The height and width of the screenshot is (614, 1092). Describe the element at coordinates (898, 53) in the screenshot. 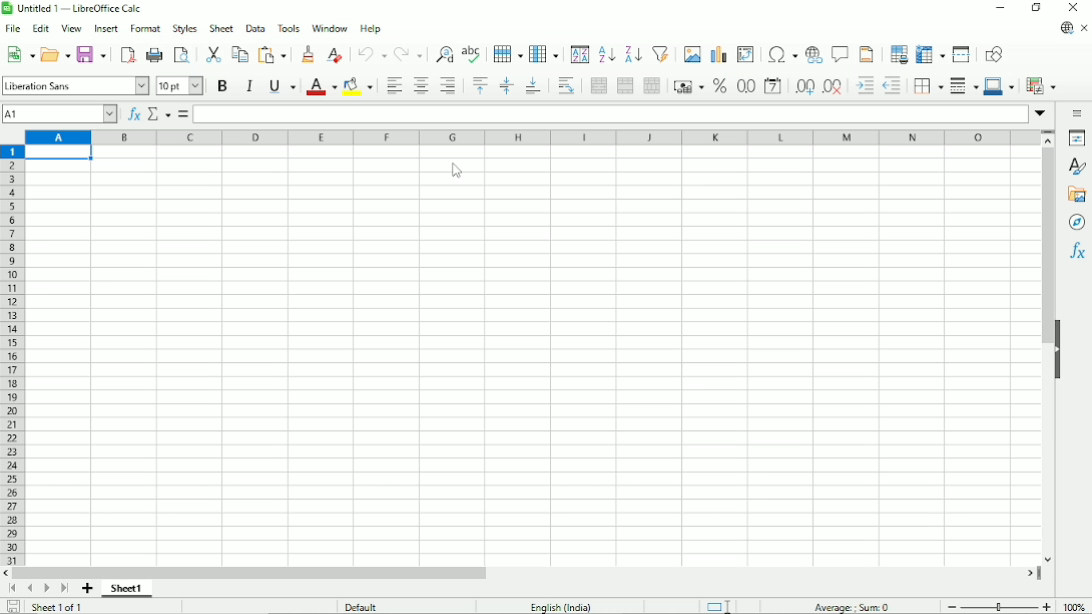

I see `Define print area` at that location.